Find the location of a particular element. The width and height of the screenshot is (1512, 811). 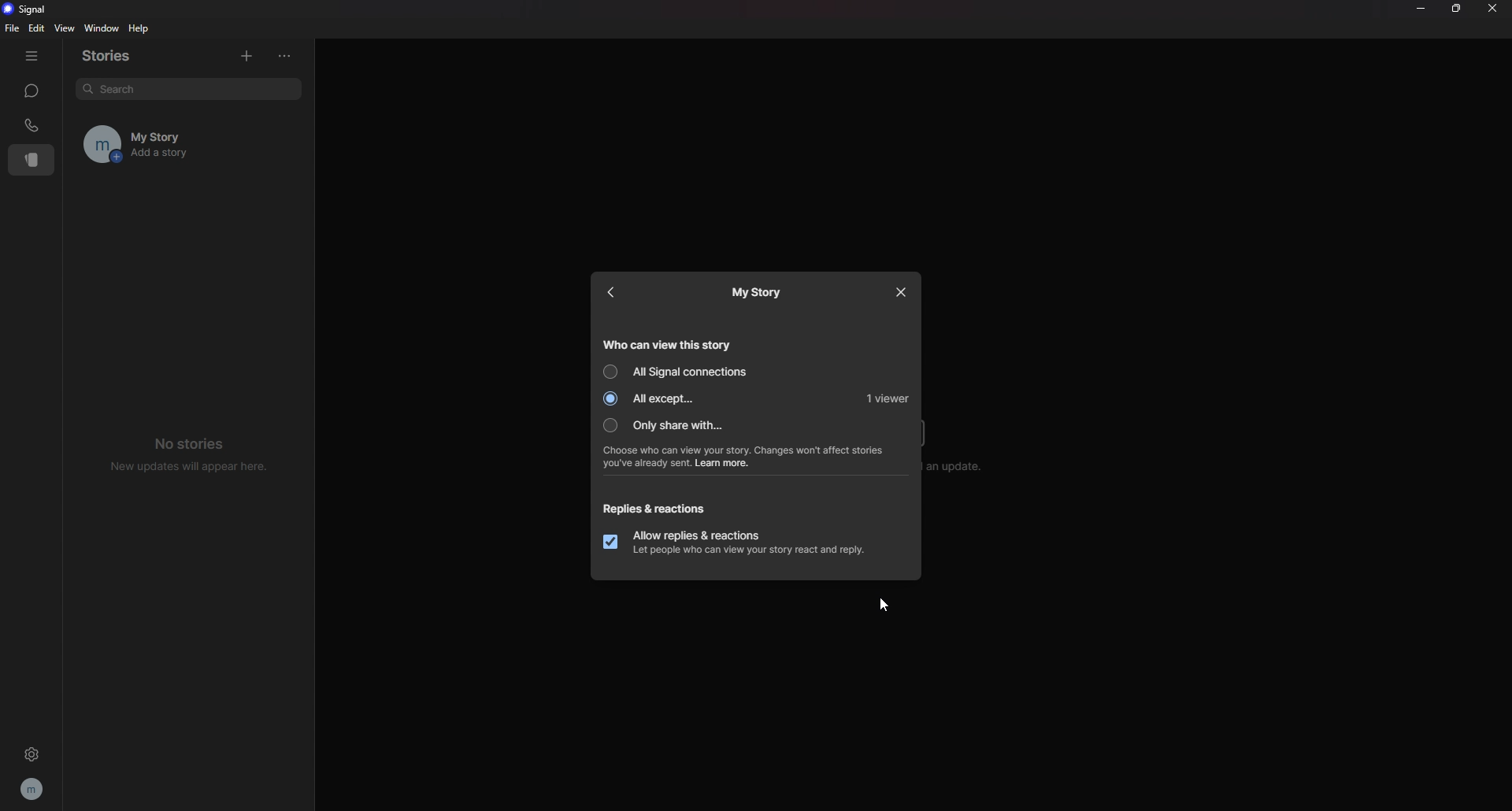

hide tab is located at coordinates (31, 56).